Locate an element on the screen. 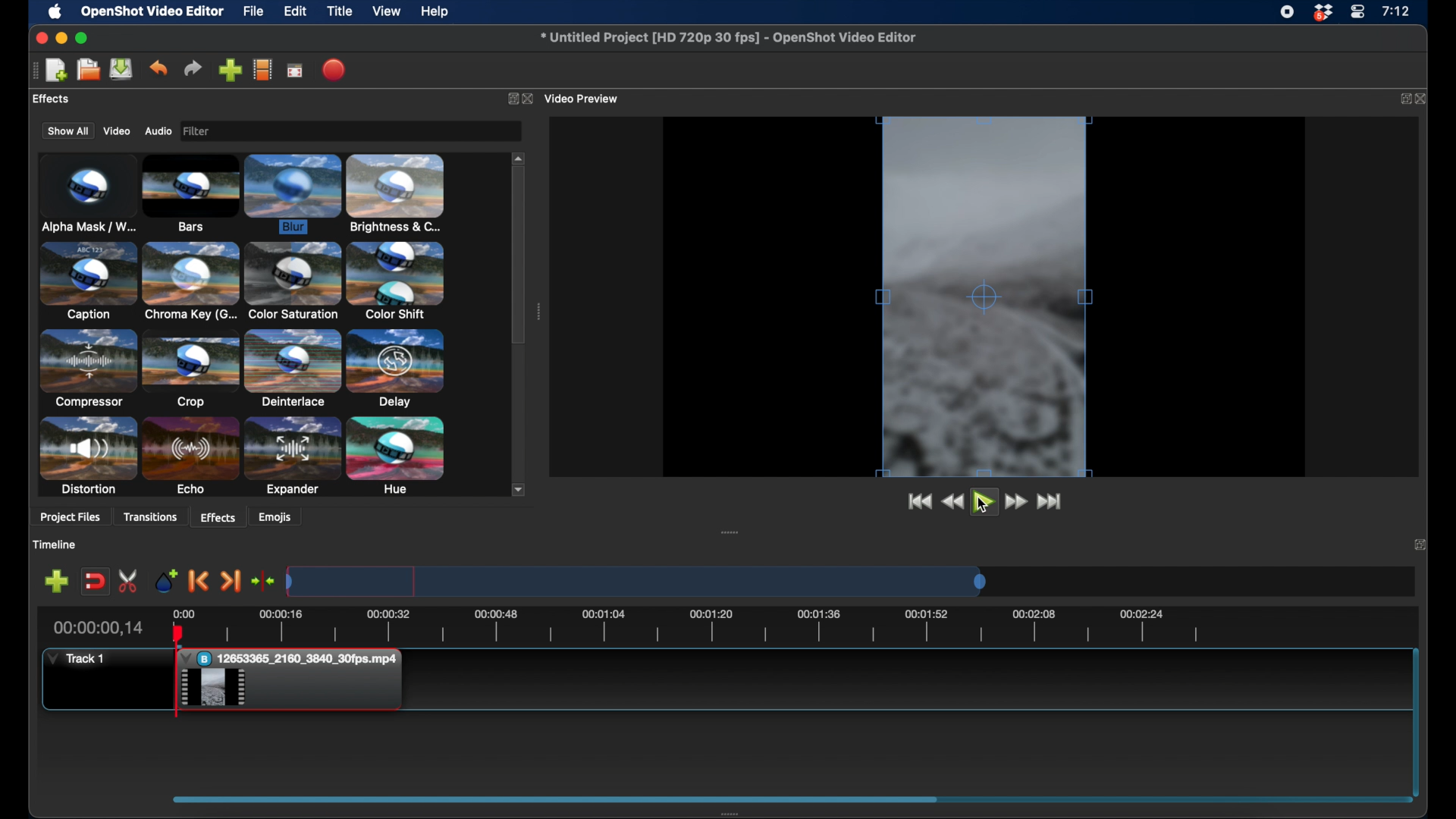 This screenshot has width=1456, height=819. close is located at coordinates (531, 99).